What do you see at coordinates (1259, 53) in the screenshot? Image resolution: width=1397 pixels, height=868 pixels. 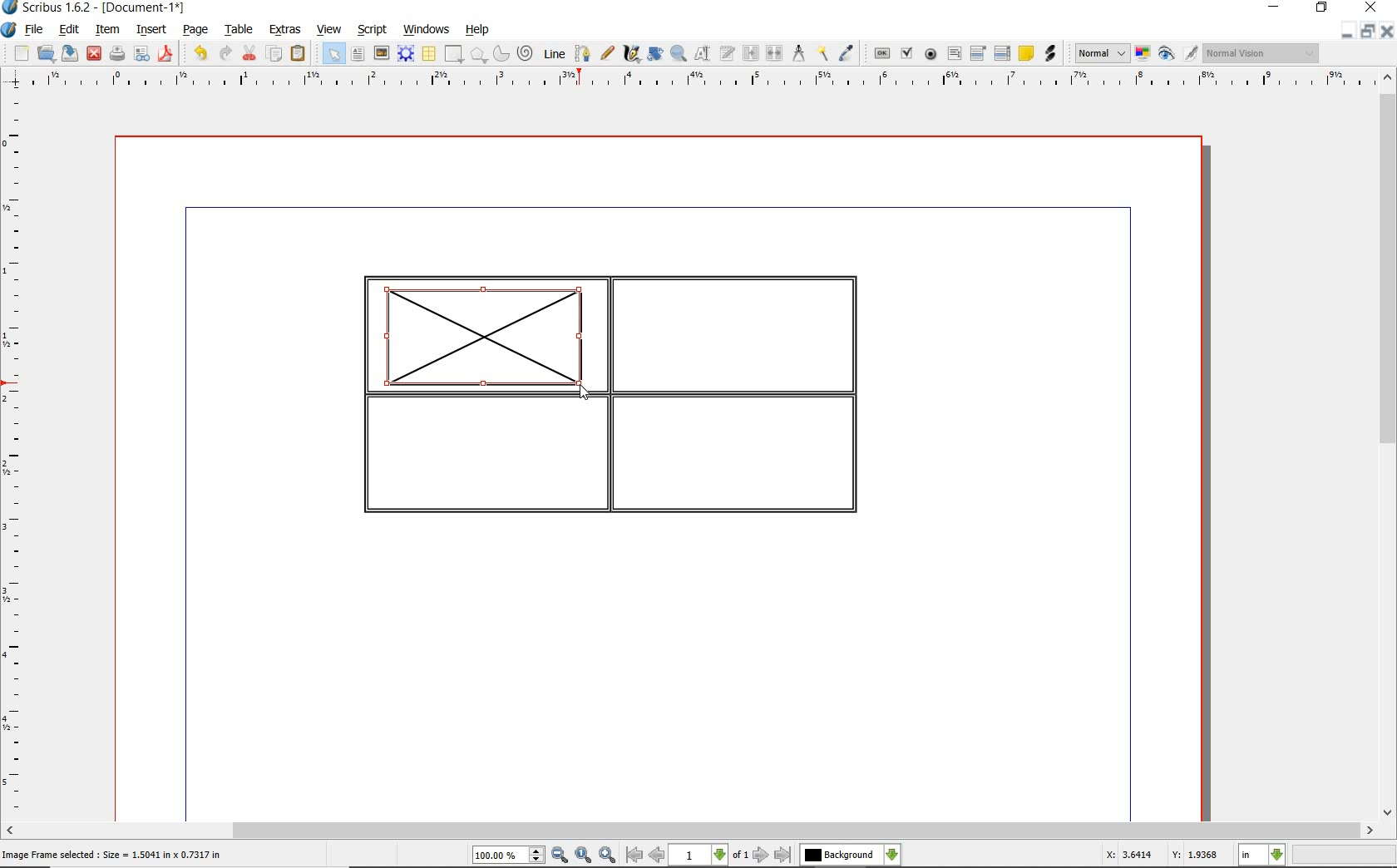 I see `visual appearance of the display` at bounding box center [1259, 53].